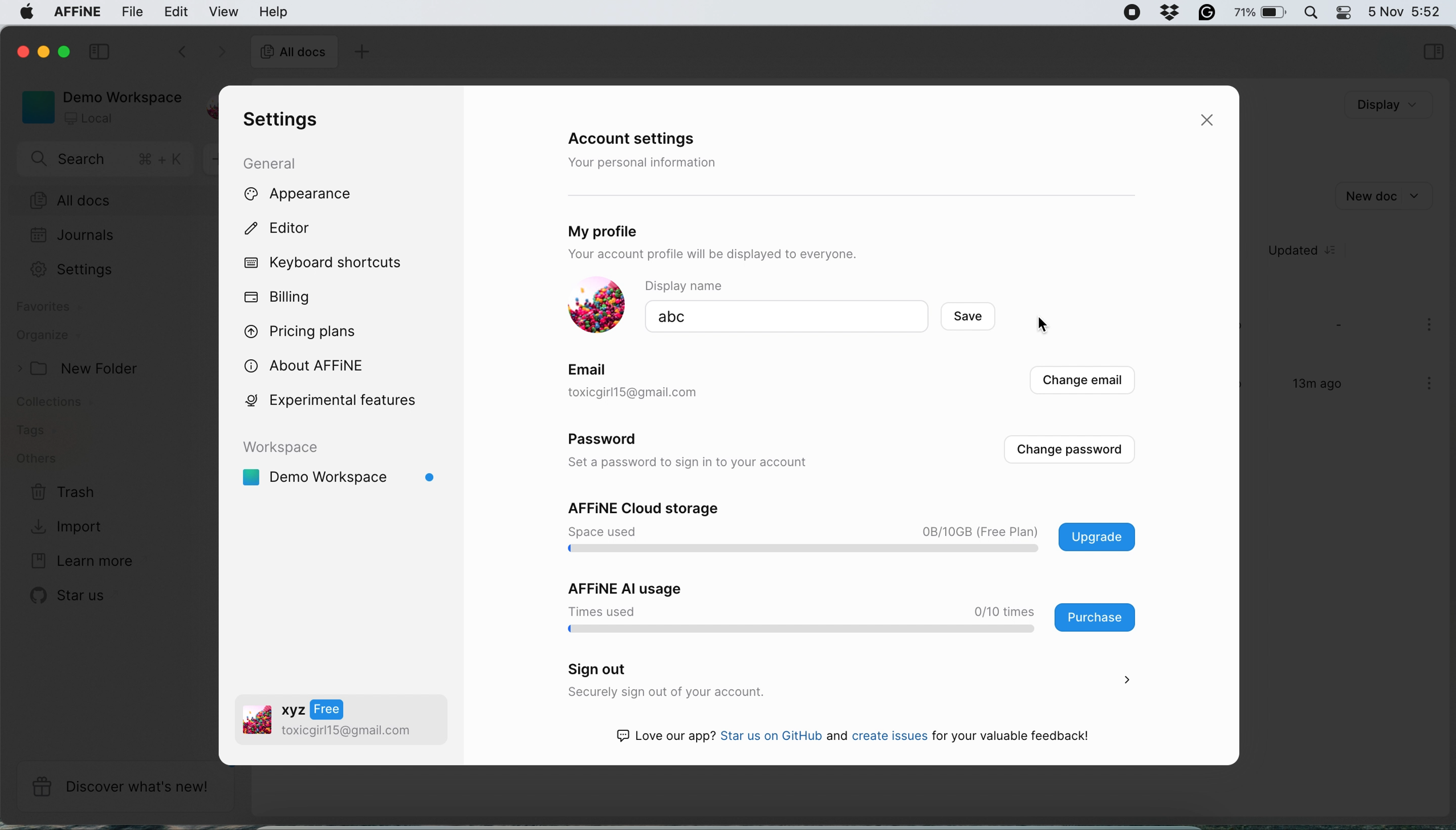 The height and width of the screenshot is (830, 1456). What do you see at coordinates (177, 11) in the screenshot?
I see `edit` at bounding box center [177, 11].